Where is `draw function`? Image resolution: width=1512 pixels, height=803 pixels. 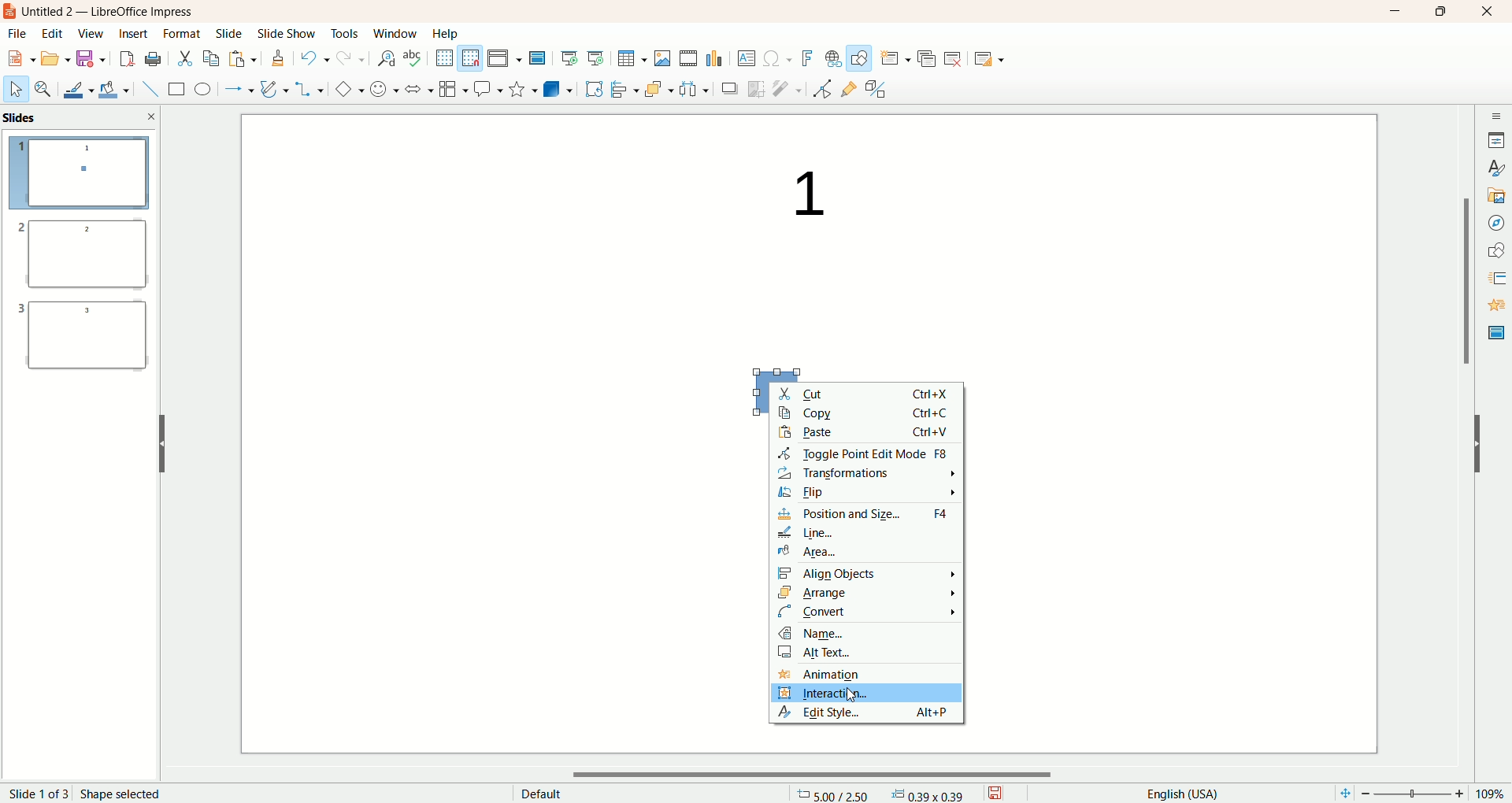 draw function is located at coordinates (859, 58).